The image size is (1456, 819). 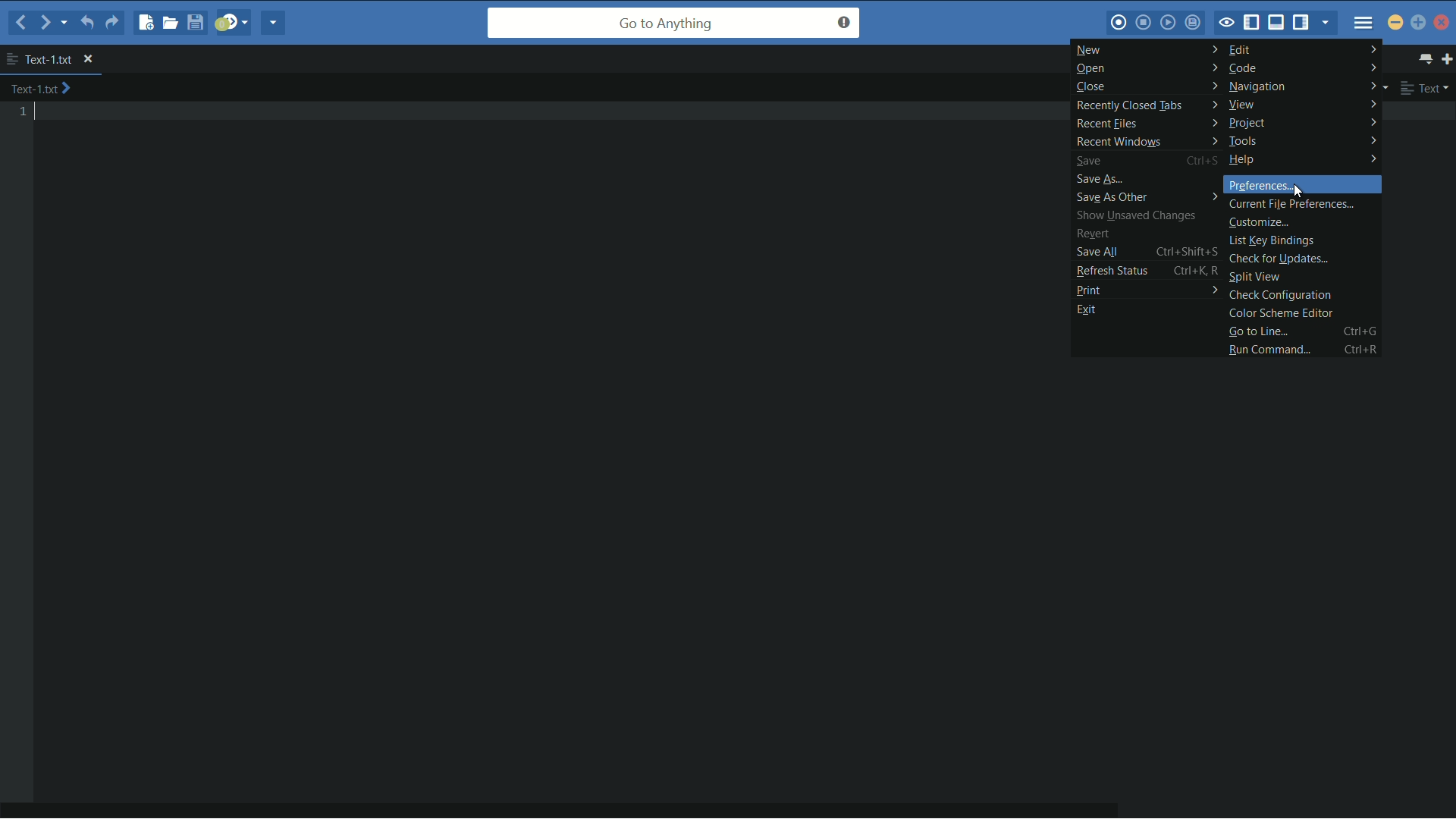 What do you see at coordinates (1299, 87) in the screenshot?
I see `navigation` at bounding box center [1299, 87].